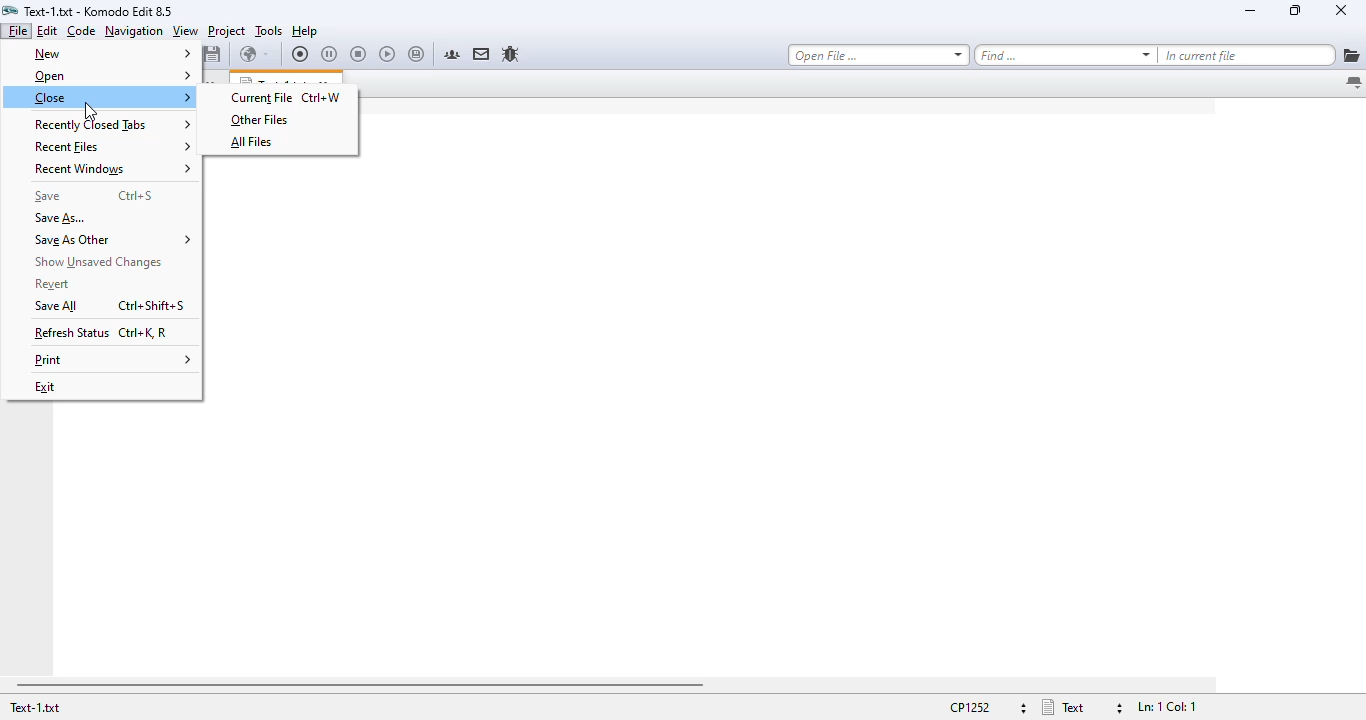 The height and width of the screenshot is (720, 1366). Describe the element at coordinates (111, 77) in the screenshot. I see `open` at that location.